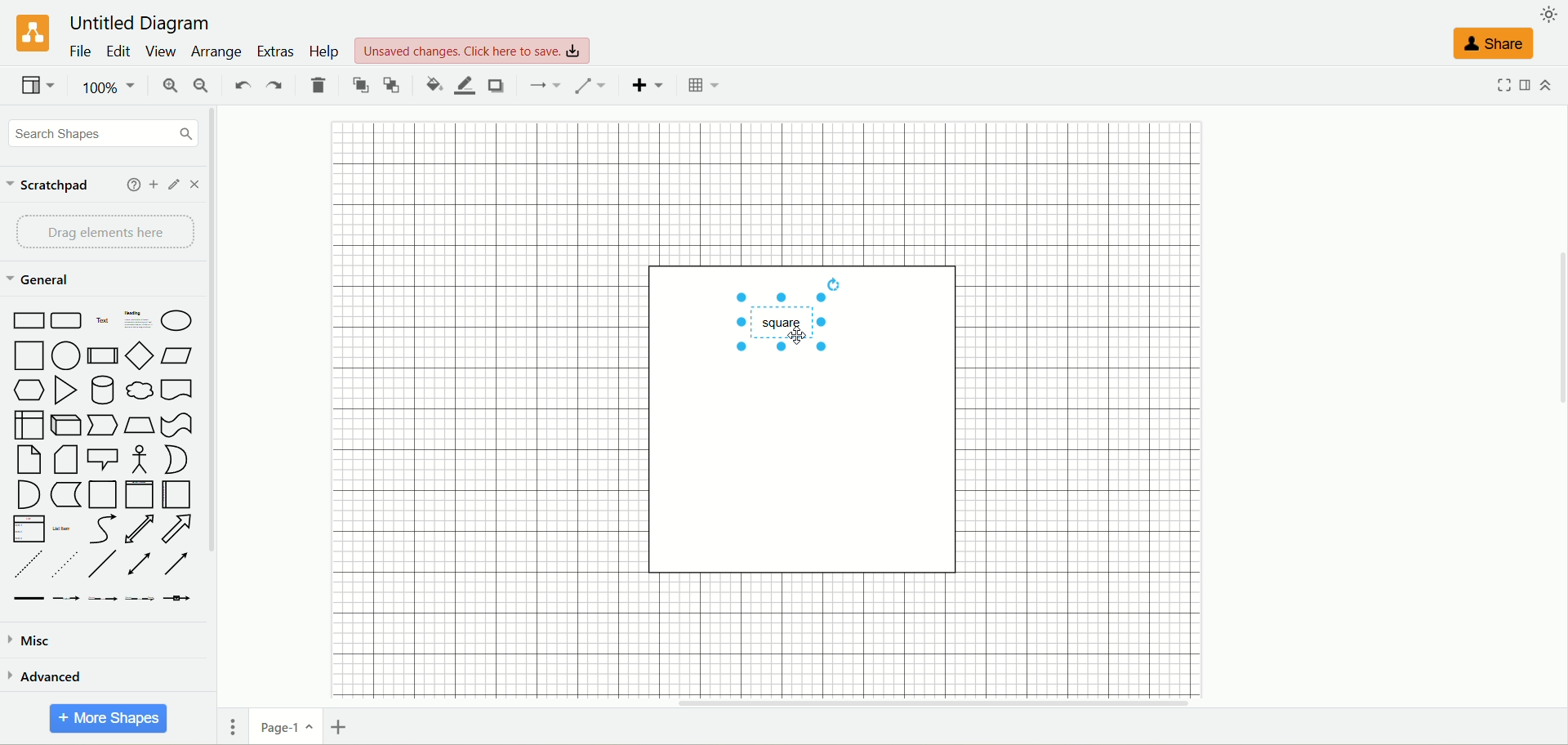 The width and height of the screenshot is (1568, 745). What do you see at coordinates (1502, 85) in the screenshot?
I see `fullscreen` at bounding box center [1502, 85].